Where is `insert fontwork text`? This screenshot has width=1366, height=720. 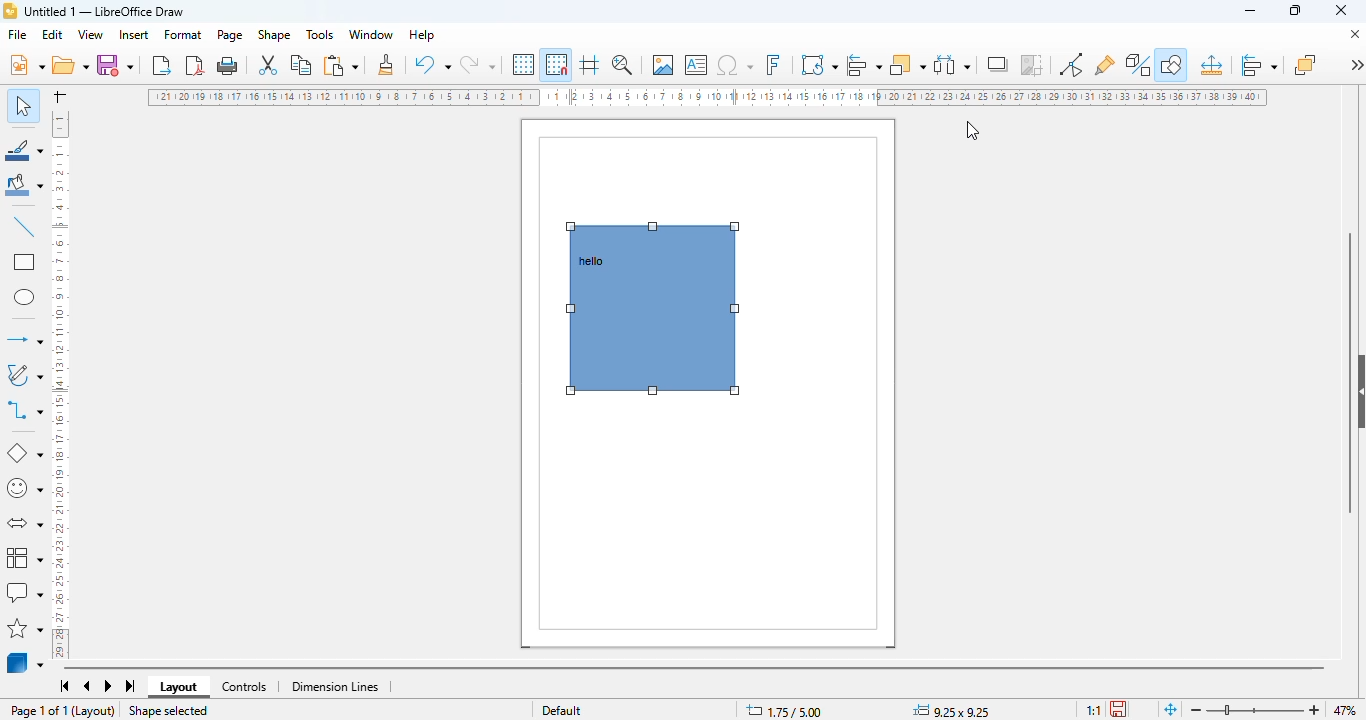 insert fontwork text is located at coordinates (773, 64).